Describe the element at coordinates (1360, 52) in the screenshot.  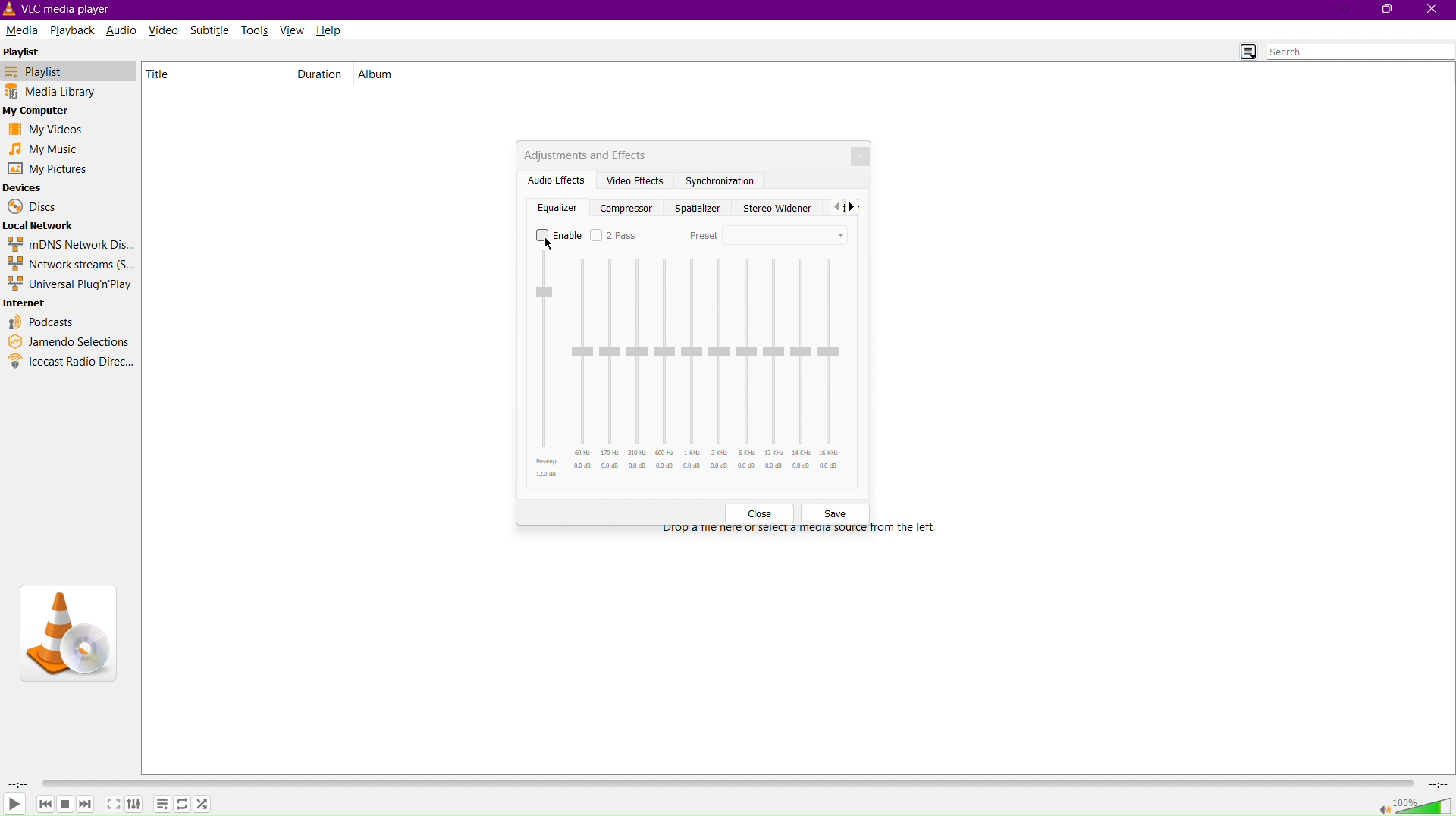
I see `Search bar` at that location.